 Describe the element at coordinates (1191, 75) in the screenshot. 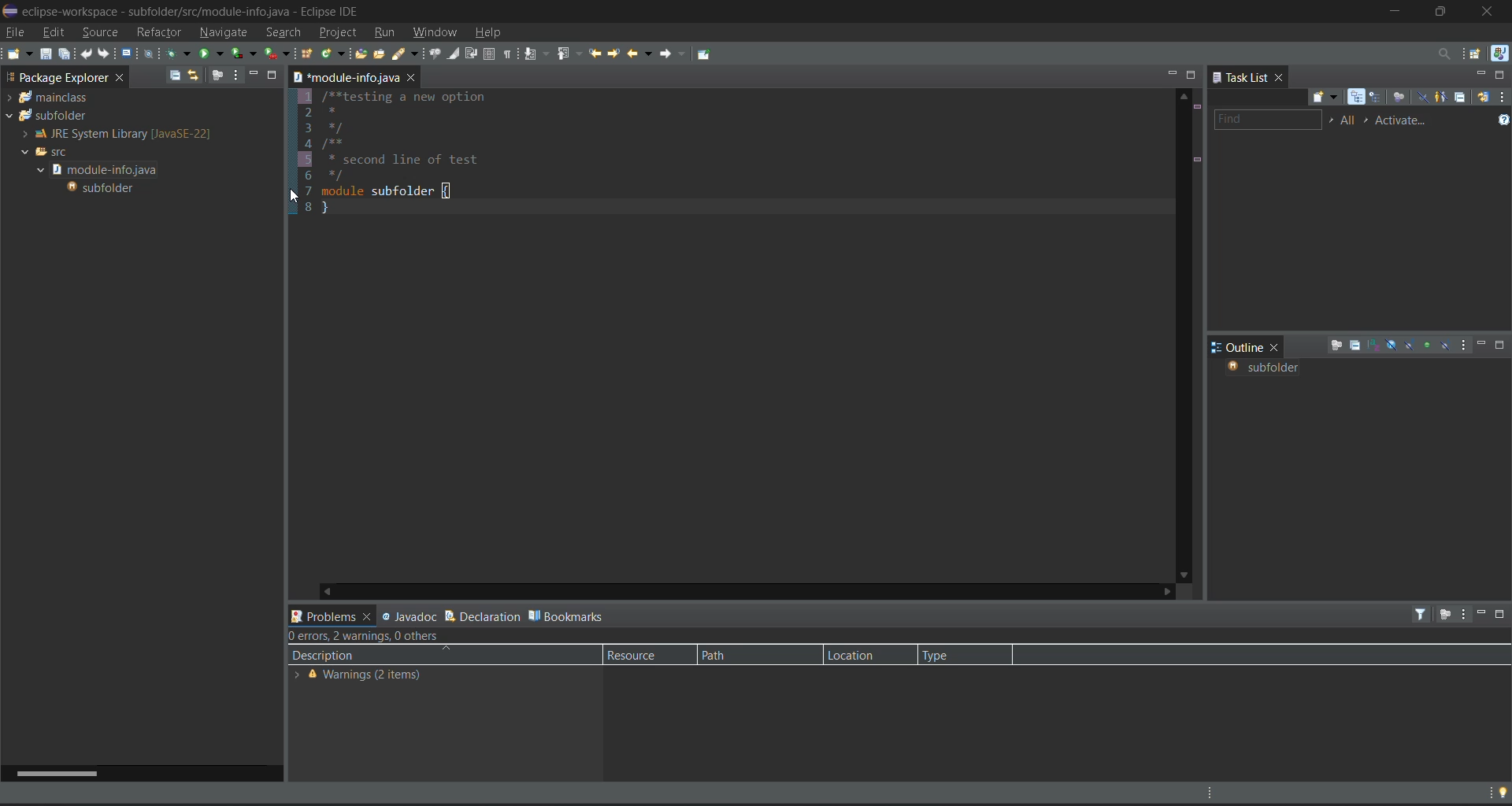

I see `maximize` at that location.